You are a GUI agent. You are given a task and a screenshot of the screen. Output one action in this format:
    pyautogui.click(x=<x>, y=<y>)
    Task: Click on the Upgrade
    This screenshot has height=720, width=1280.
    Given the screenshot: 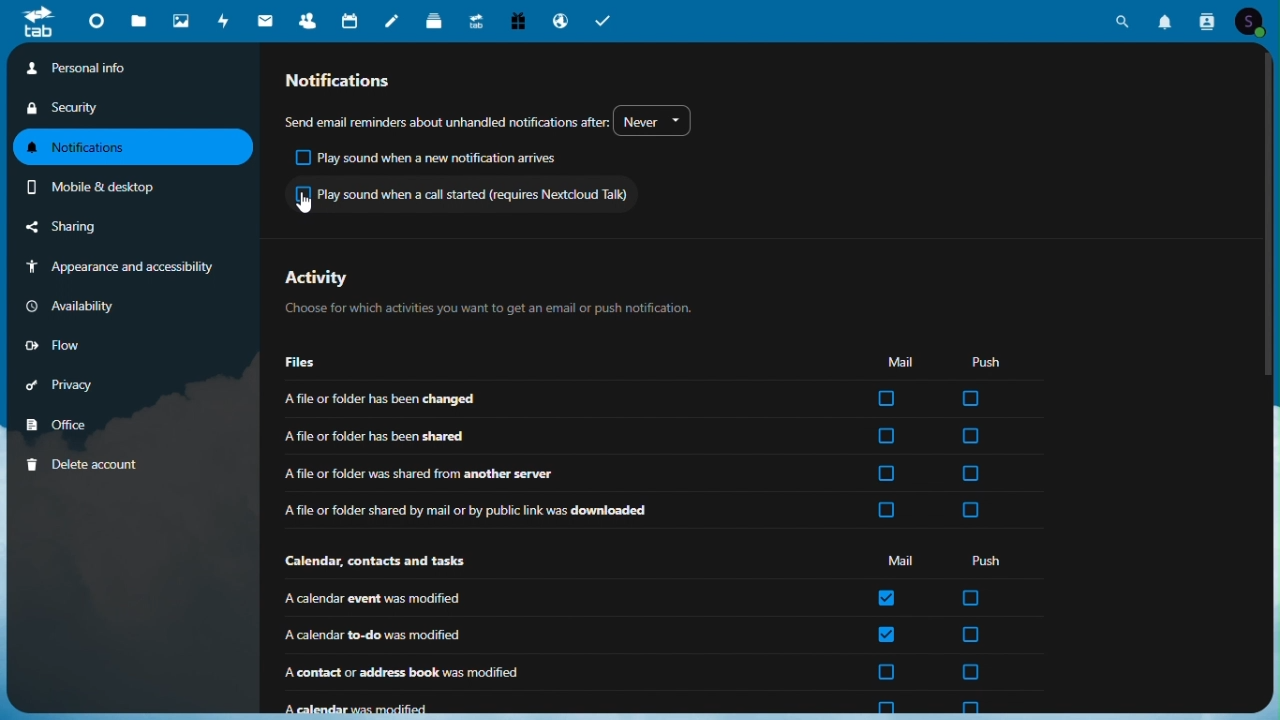 What is the action you would take?
    pyautogui.click(x=476, y=18)
    